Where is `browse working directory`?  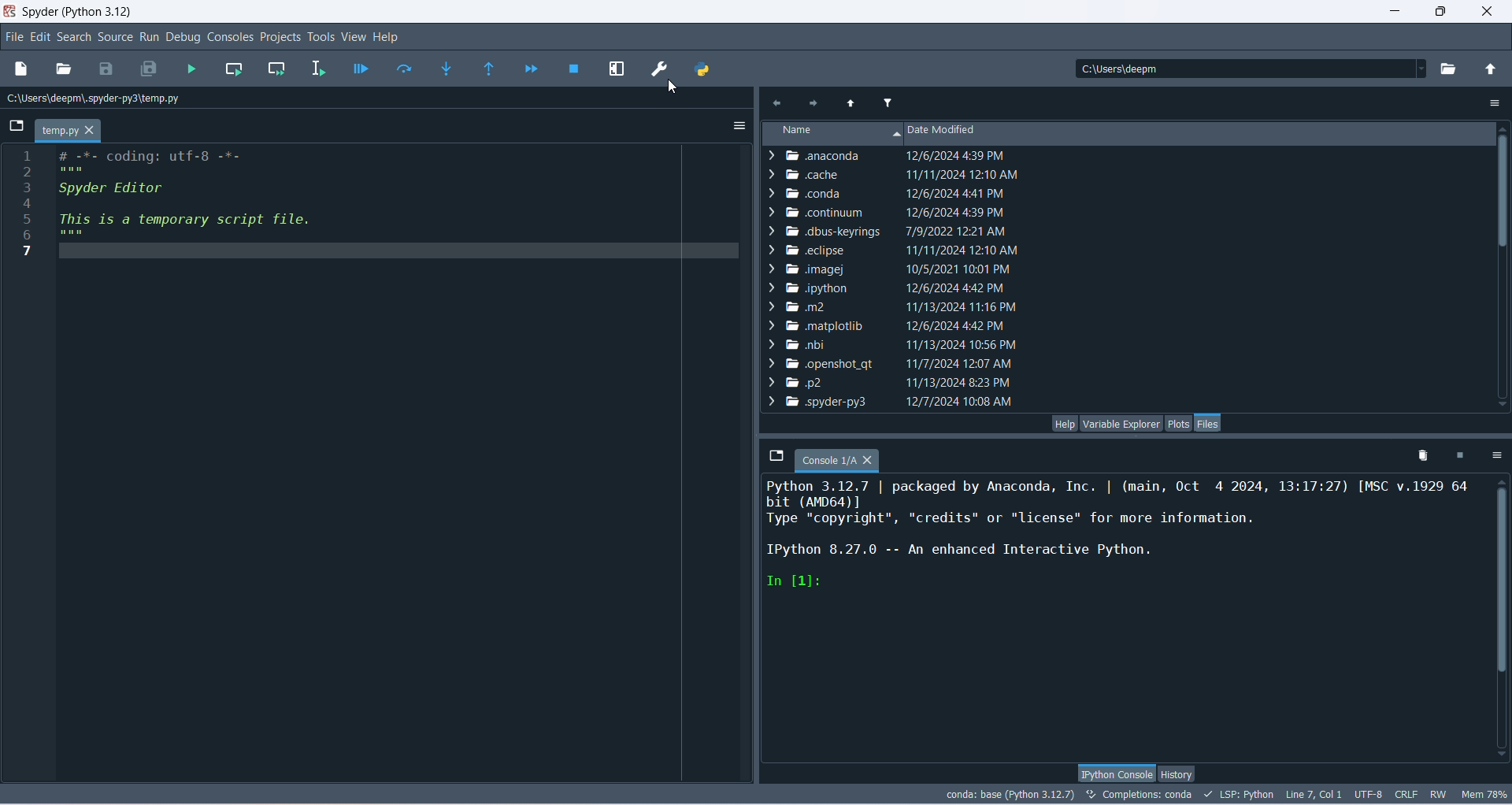
browse working directory is located at coordinates (1452, 72).